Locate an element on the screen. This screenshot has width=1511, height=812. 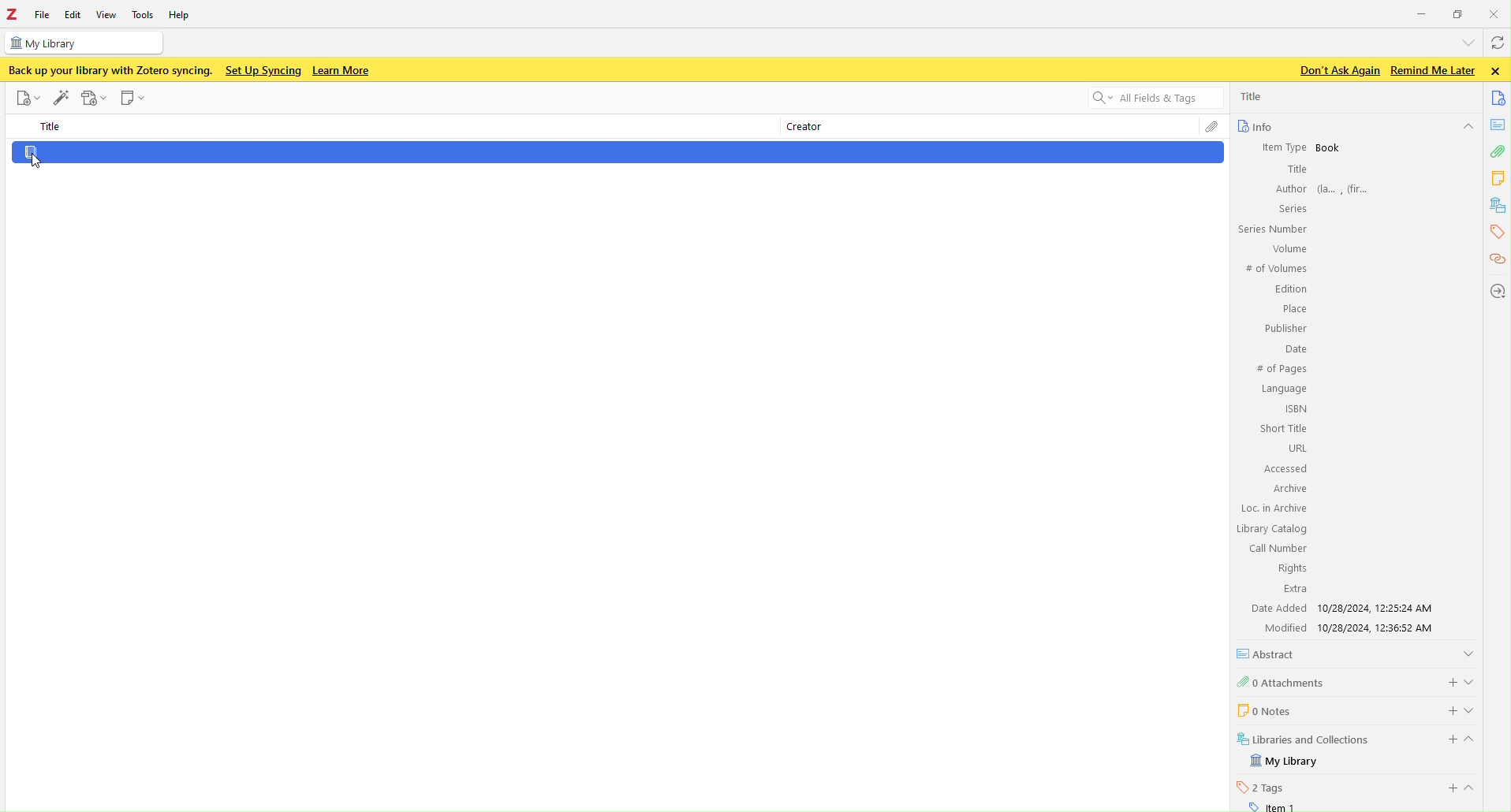
windows is located at coordinates (1461, 13).